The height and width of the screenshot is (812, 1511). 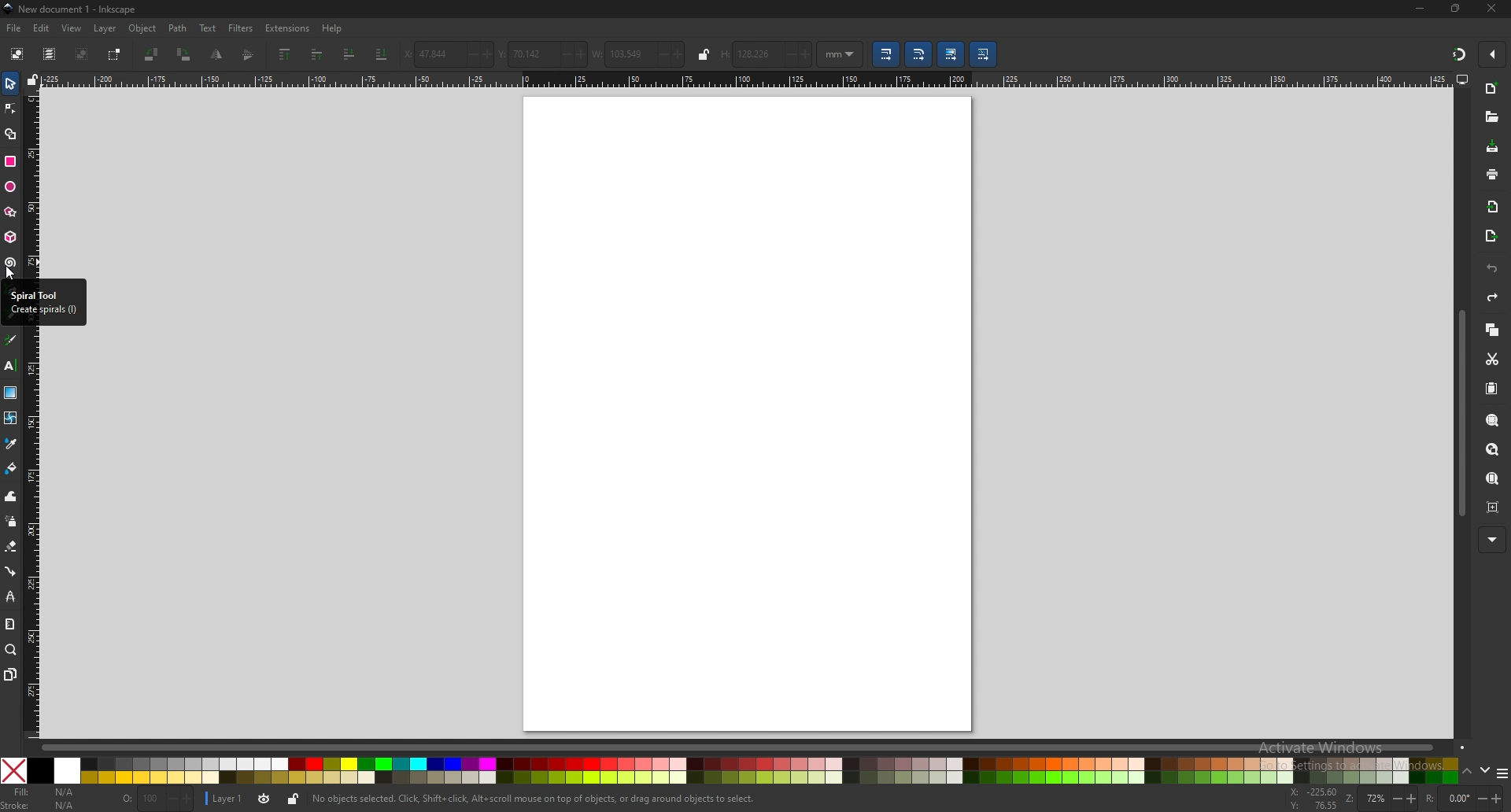 What do you see at coordinates (744, 412) in the screenshot?
I see `page` at bounding box center [744, 412].